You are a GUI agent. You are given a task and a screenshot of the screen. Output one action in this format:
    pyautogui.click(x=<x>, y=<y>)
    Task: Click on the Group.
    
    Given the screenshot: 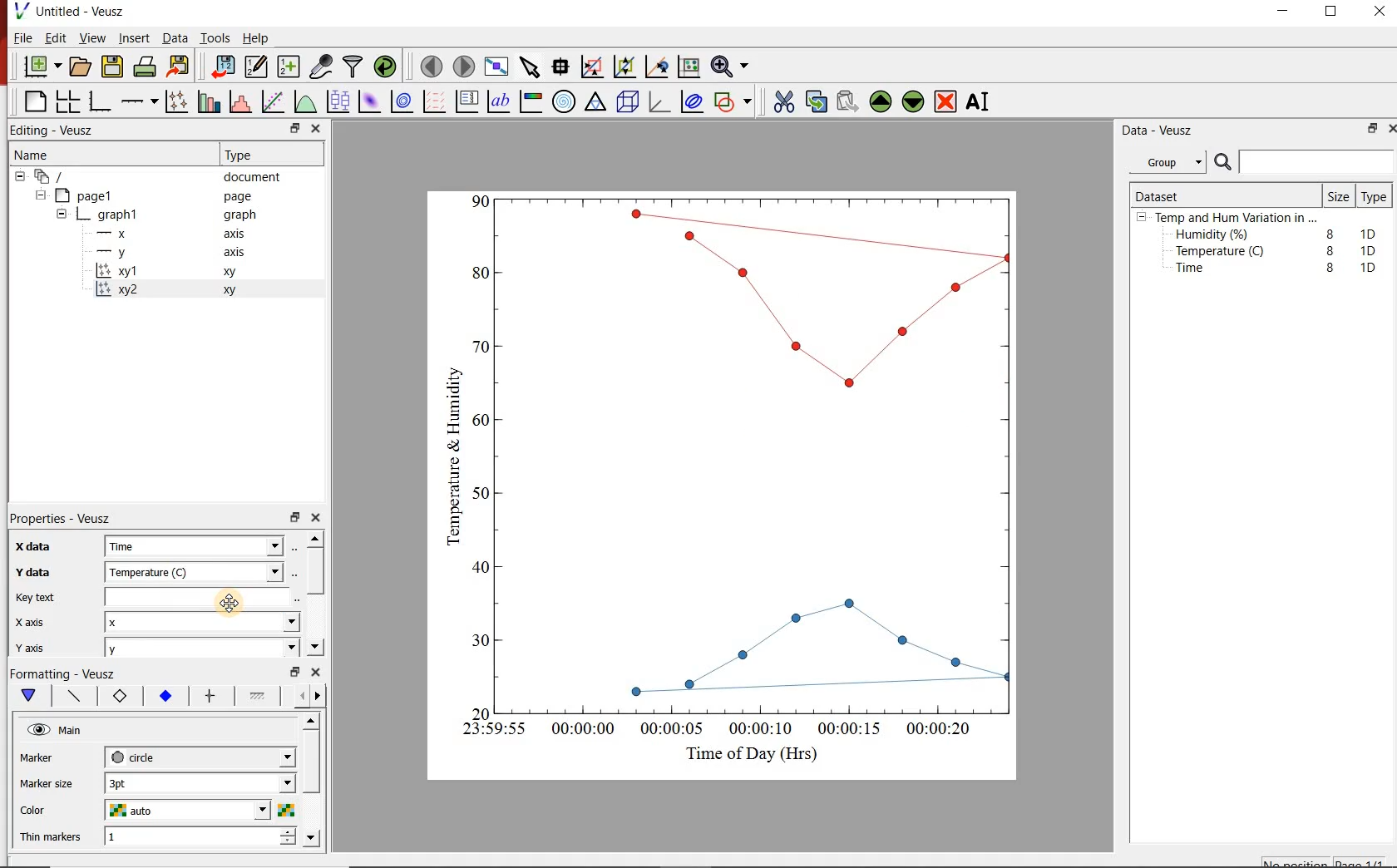 What is the action you would take?
    pyautogui.click(x=1171, y=159)
    